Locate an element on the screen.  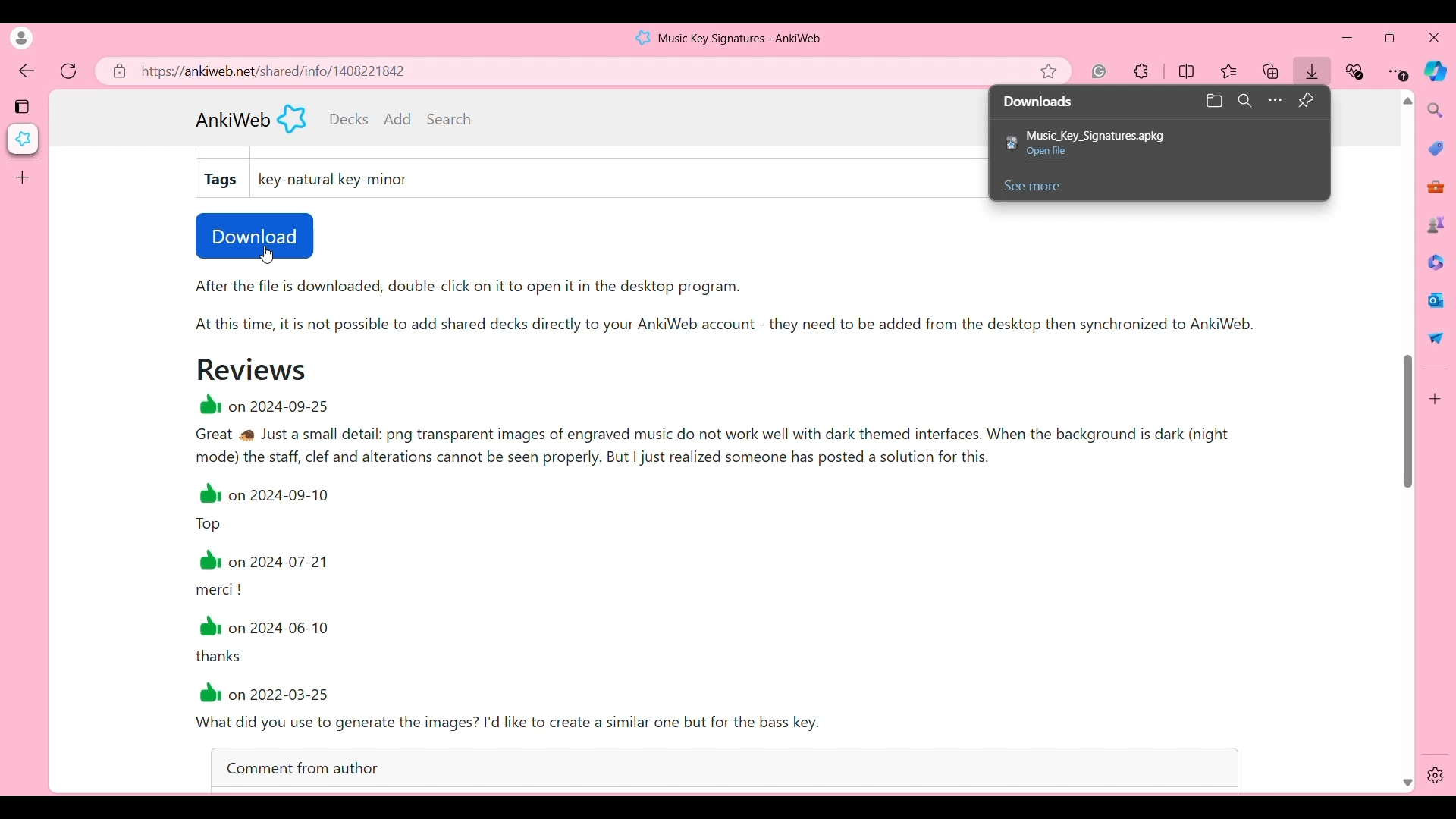
Settings is located at coordinates (1436, 776).